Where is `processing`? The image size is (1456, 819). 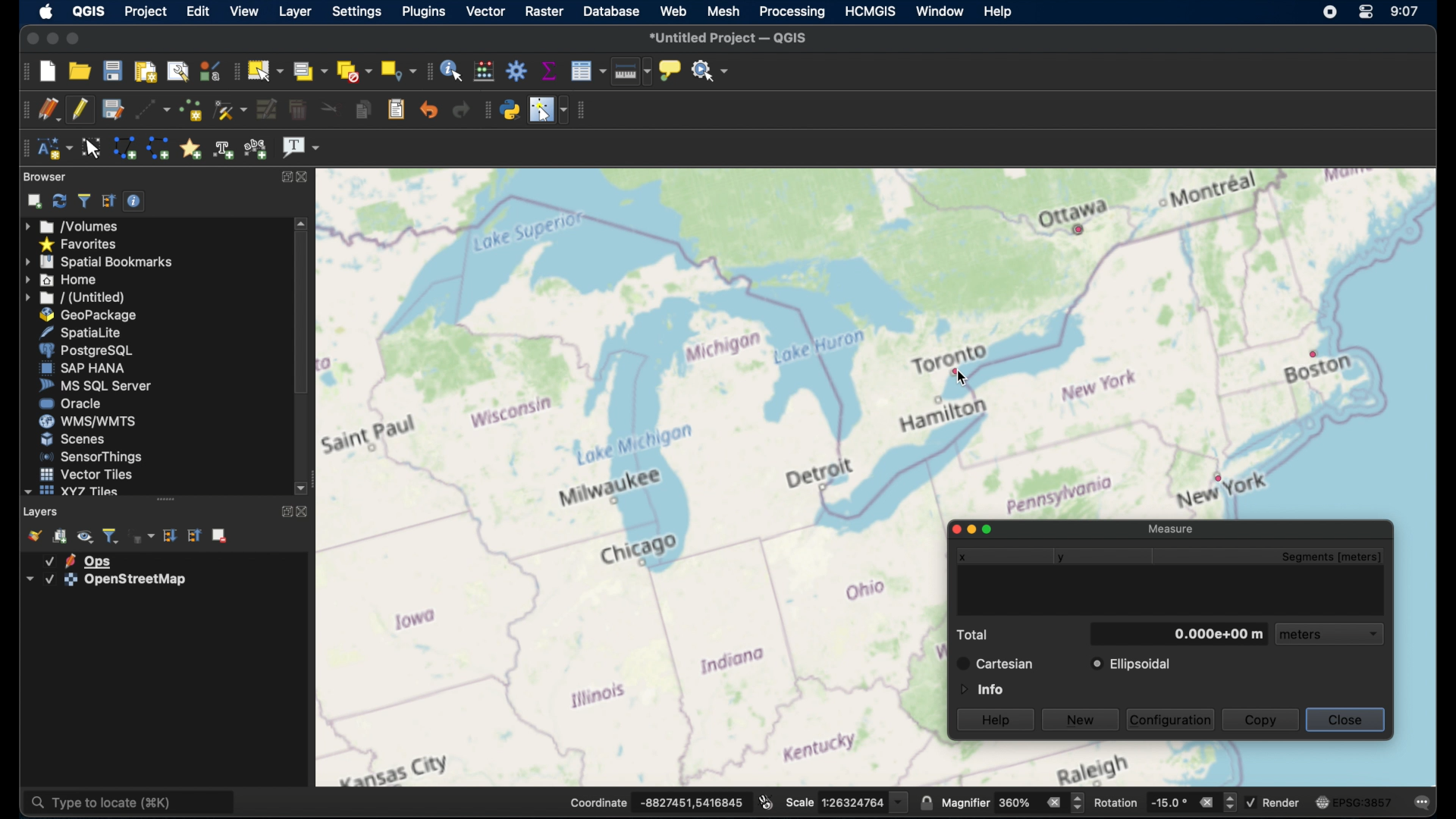 processing is located at coordinates (792, 12).